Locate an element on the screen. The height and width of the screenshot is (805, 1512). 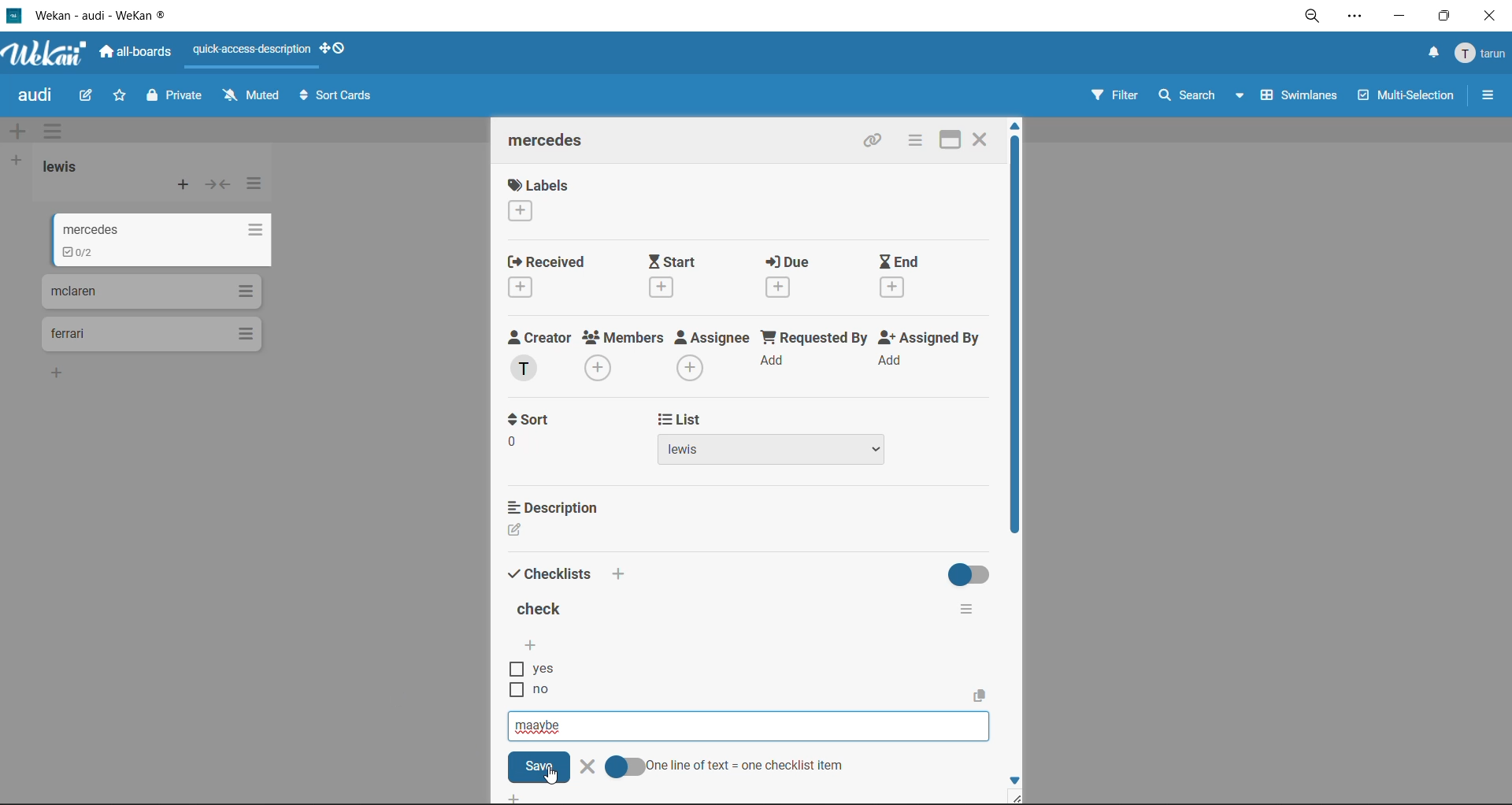
checklists is located at coordinates (551, 577).